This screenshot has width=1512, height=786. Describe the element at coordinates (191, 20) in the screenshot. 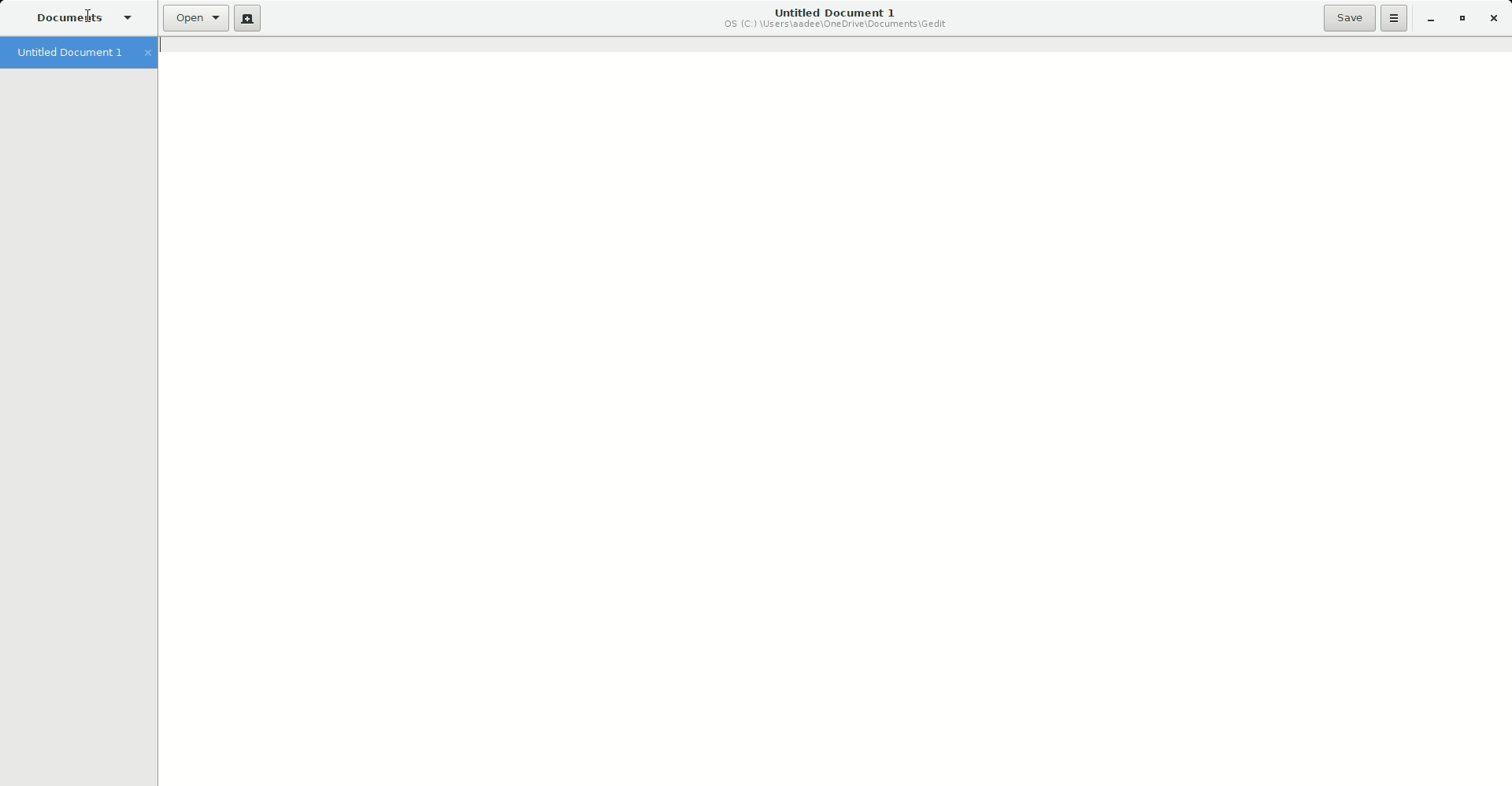

I see `Open` at that location.